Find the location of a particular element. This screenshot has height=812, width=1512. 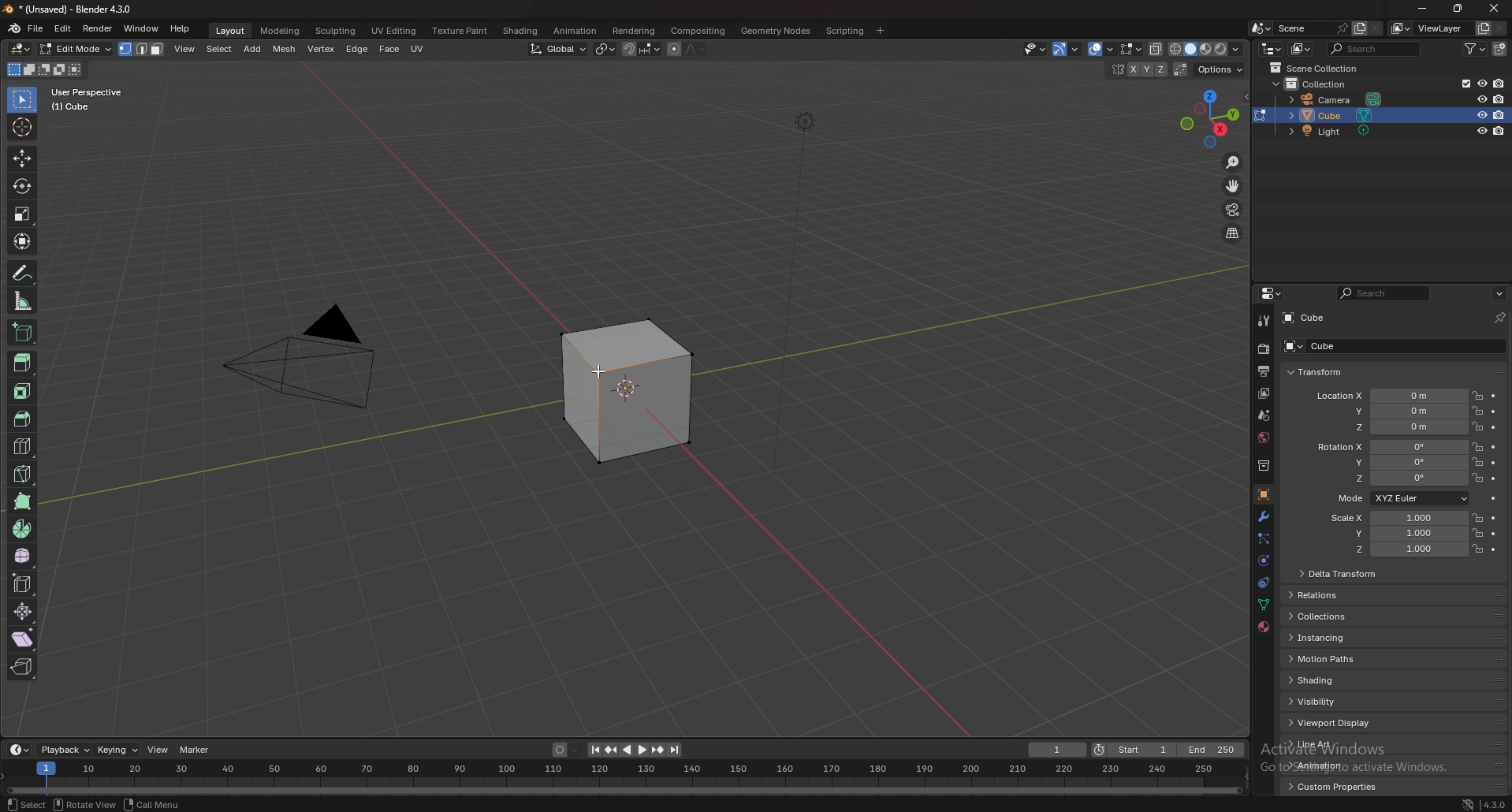

cursor is located at coordinates (594, 373).